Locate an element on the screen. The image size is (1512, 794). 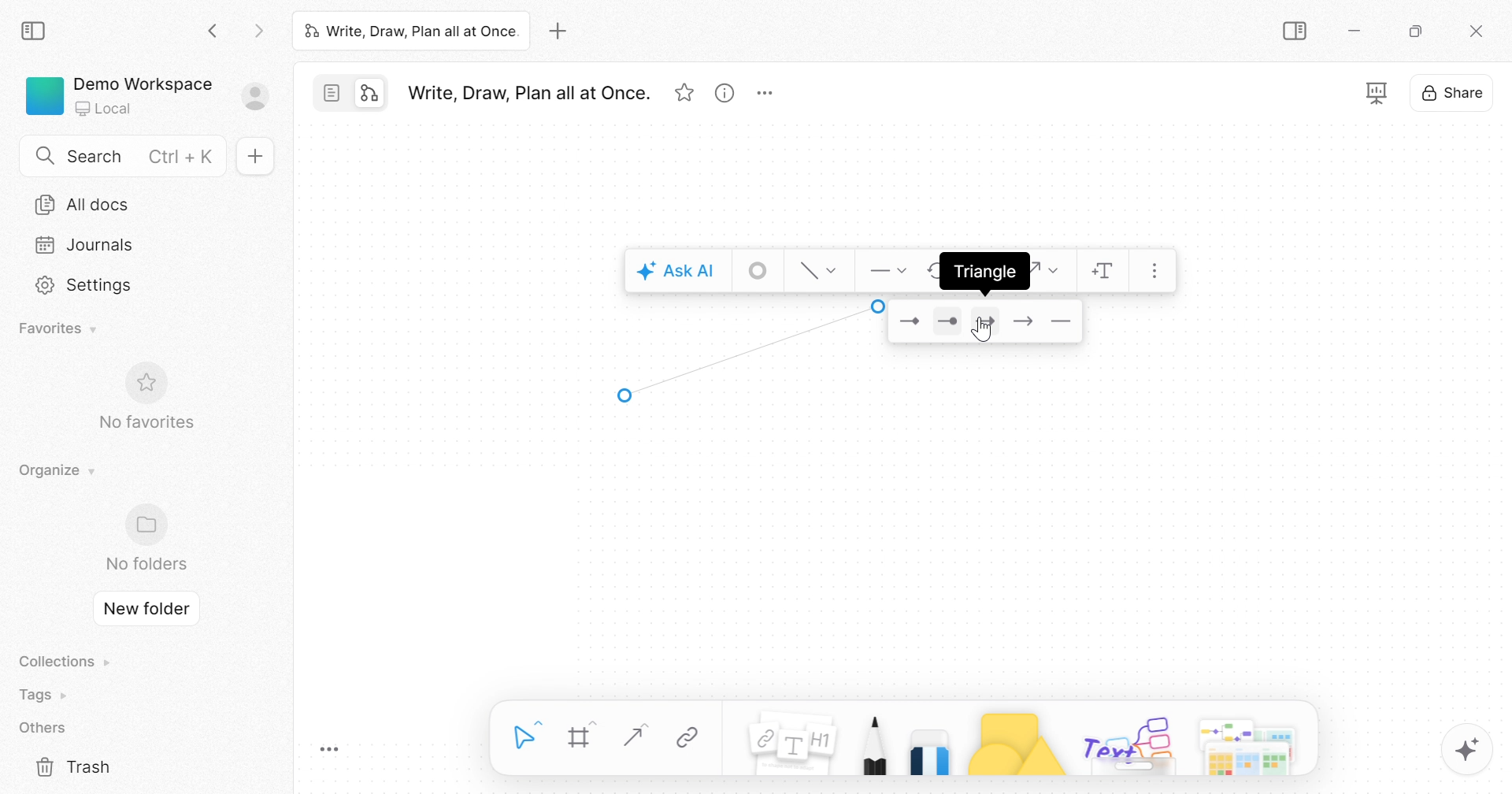
Organize is located at coordinates (53, 470).